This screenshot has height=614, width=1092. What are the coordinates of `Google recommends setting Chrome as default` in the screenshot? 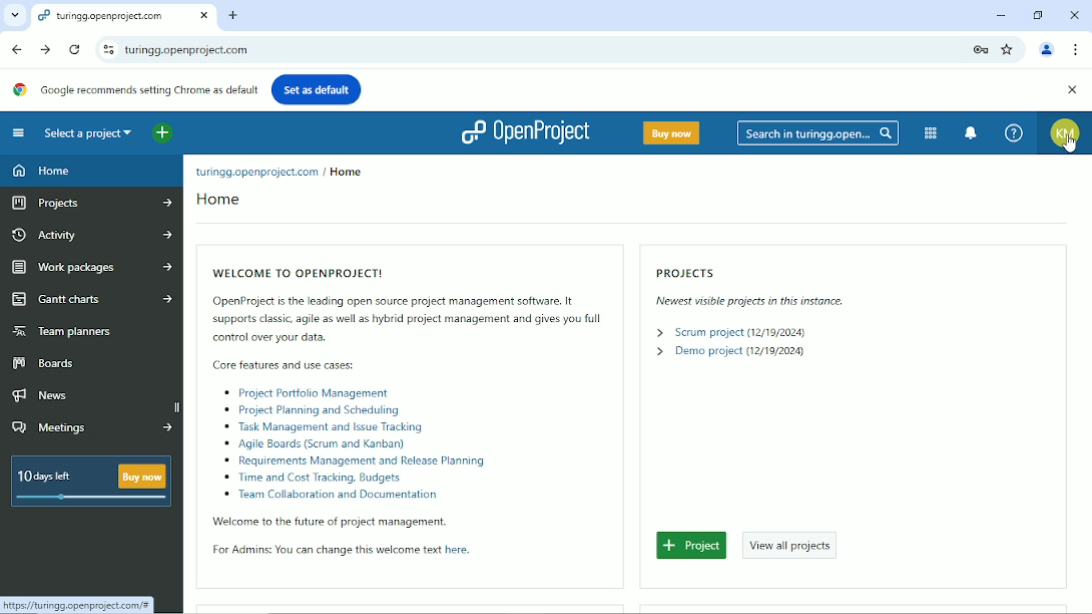 It's located at (135, 89).